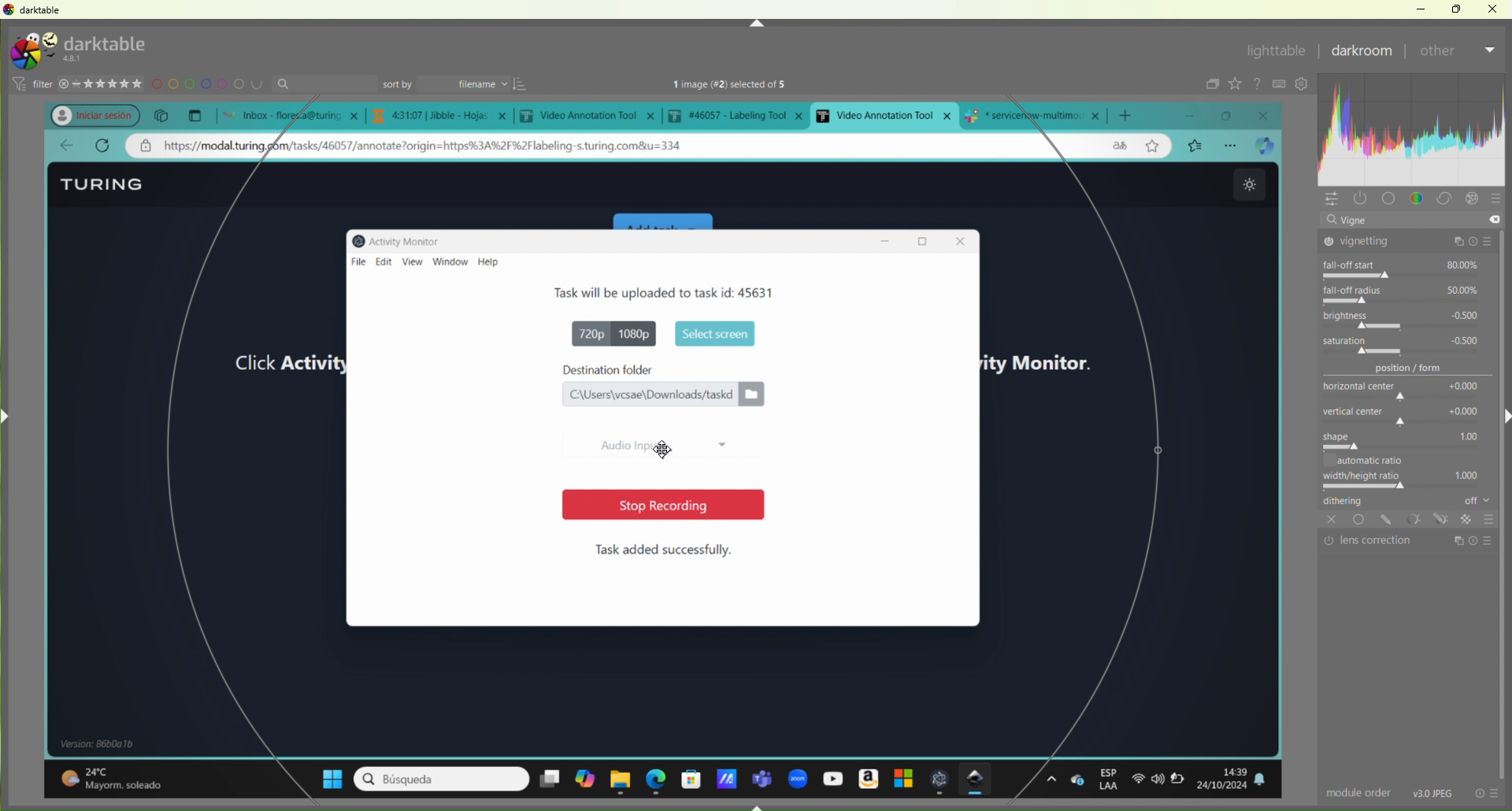  Describe the element at coordinates (665, 453) in the screenshot. I see `Cursor` at that location.